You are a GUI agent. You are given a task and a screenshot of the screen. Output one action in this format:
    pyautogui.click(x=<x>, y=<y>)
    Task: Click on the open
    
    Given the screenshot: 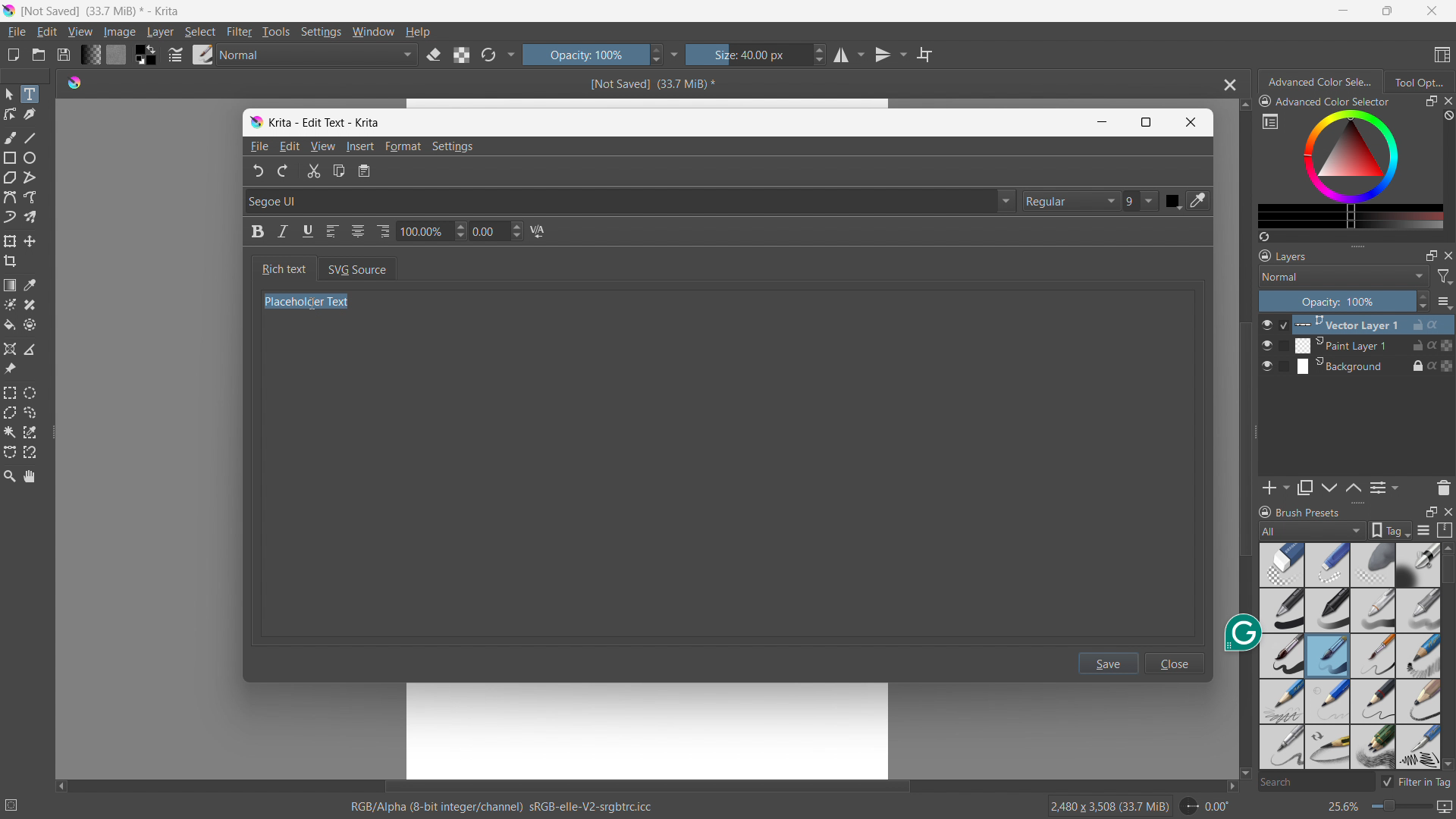 What is the action you would take?
    pyautogui.click(x=39, y=55)
    